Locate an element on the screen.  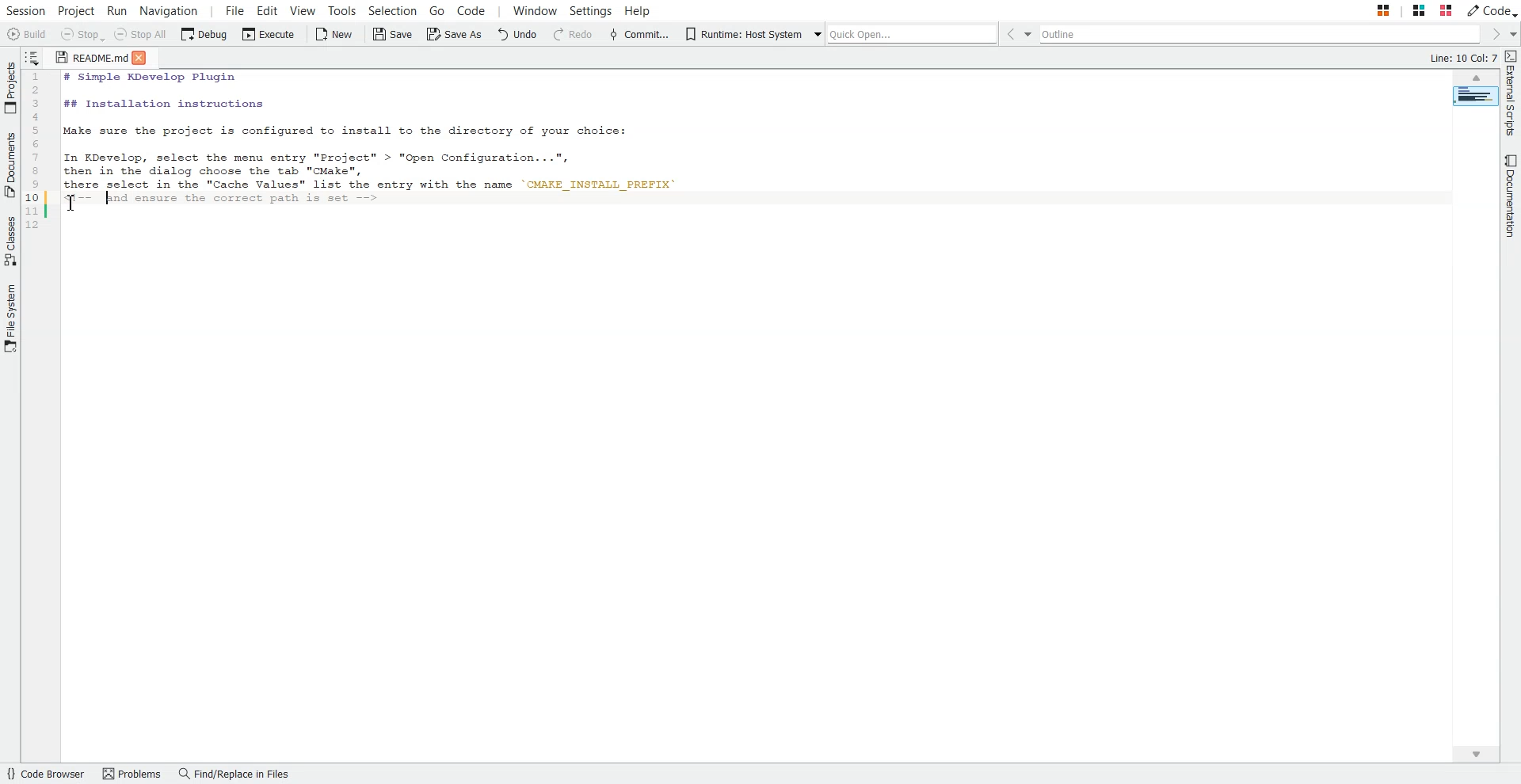
Navigation is located at coordinates (169, 10).